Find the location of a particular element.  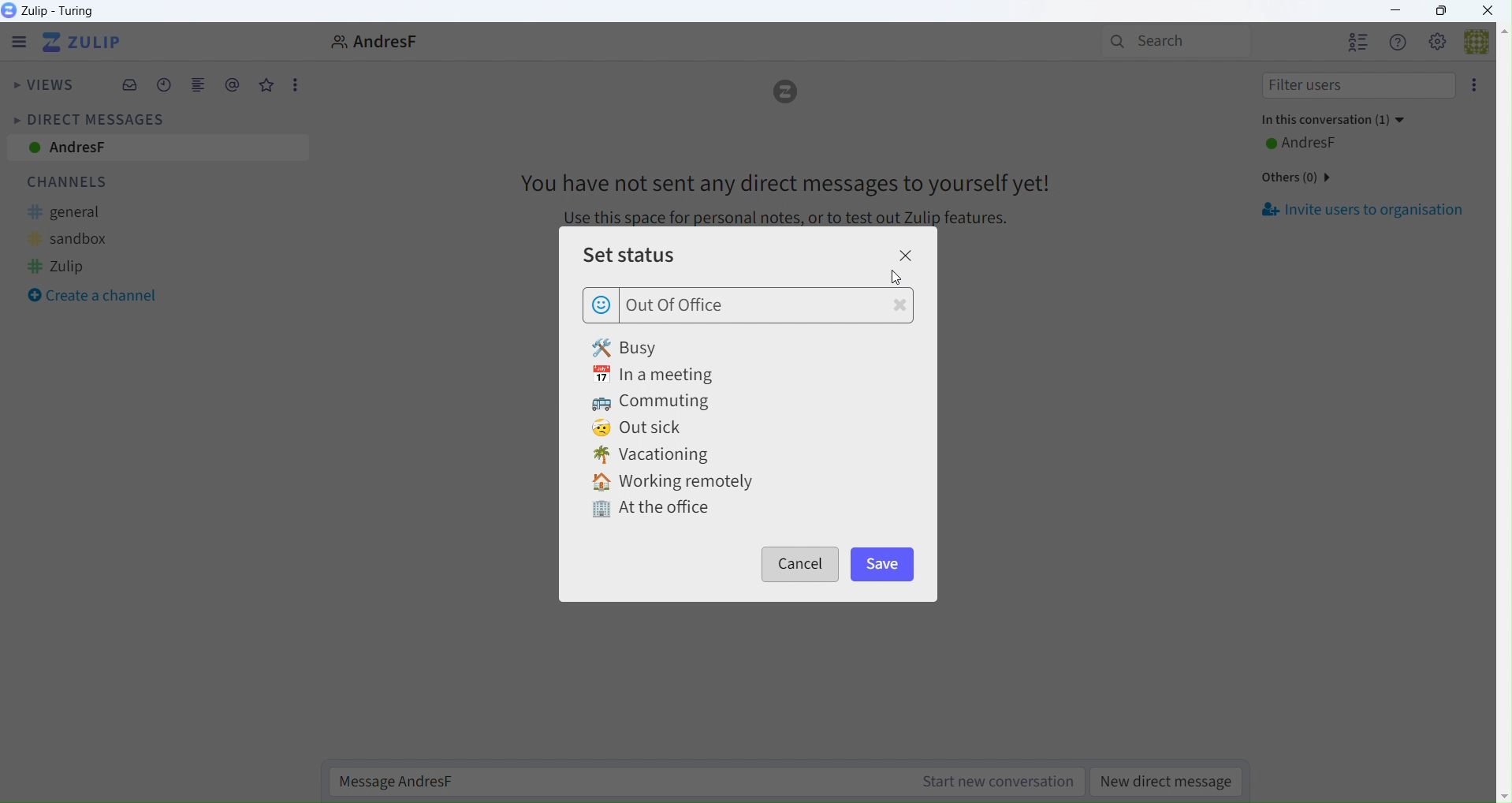

emoji is located at coordinates (601, 306).